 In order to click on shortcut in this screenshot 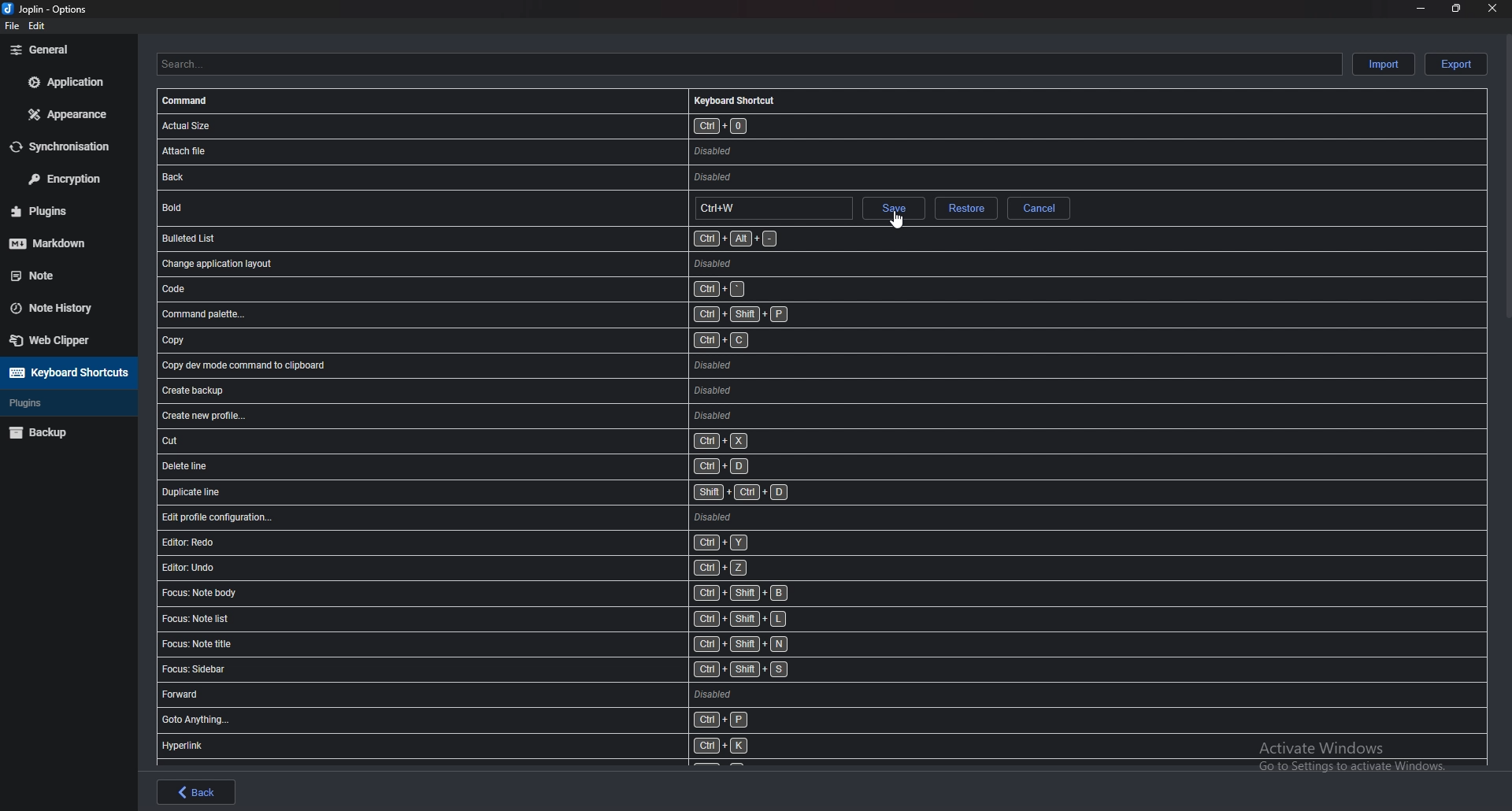, I will do `click(520, 618)`.